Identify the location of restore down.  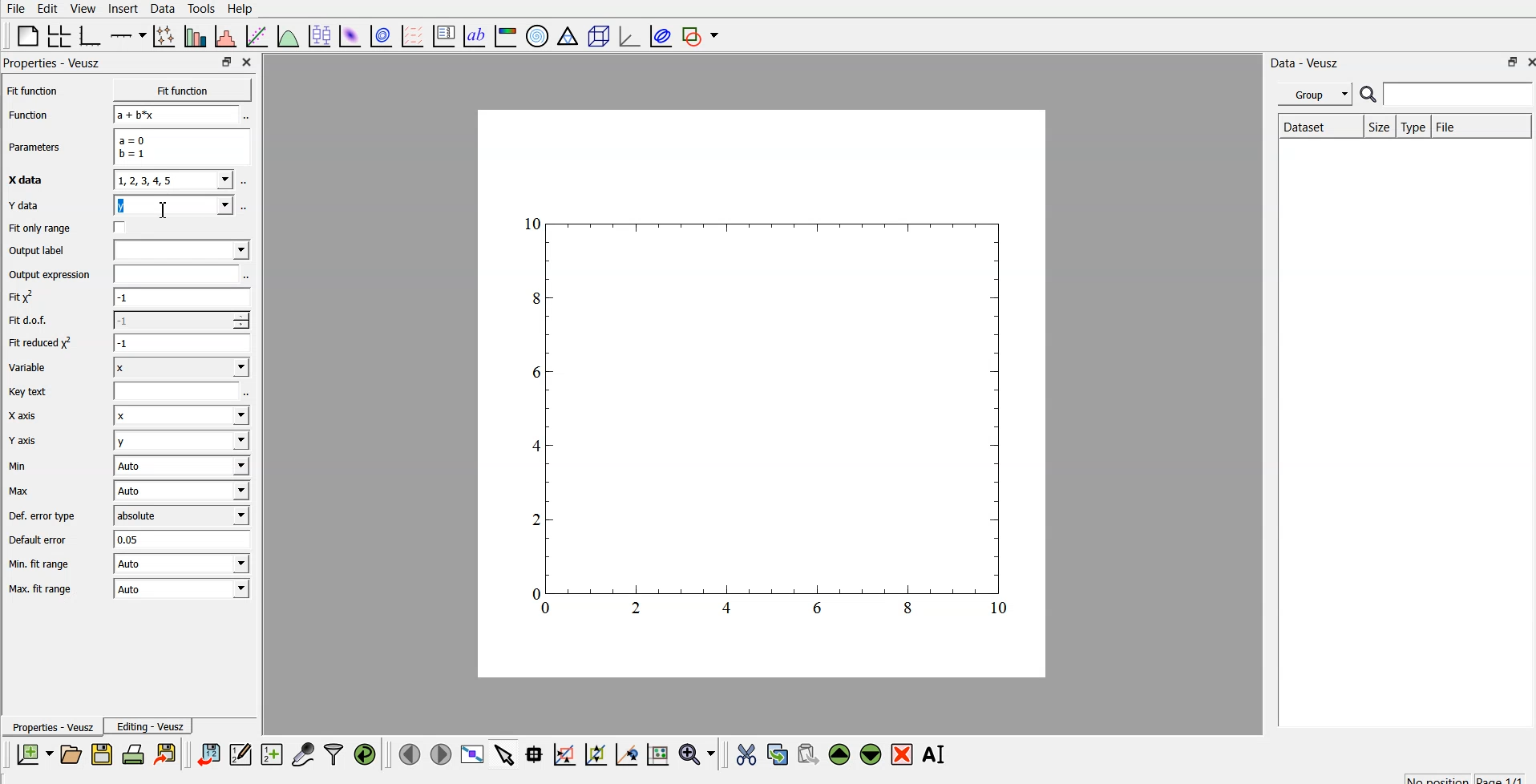
(1506, 65).